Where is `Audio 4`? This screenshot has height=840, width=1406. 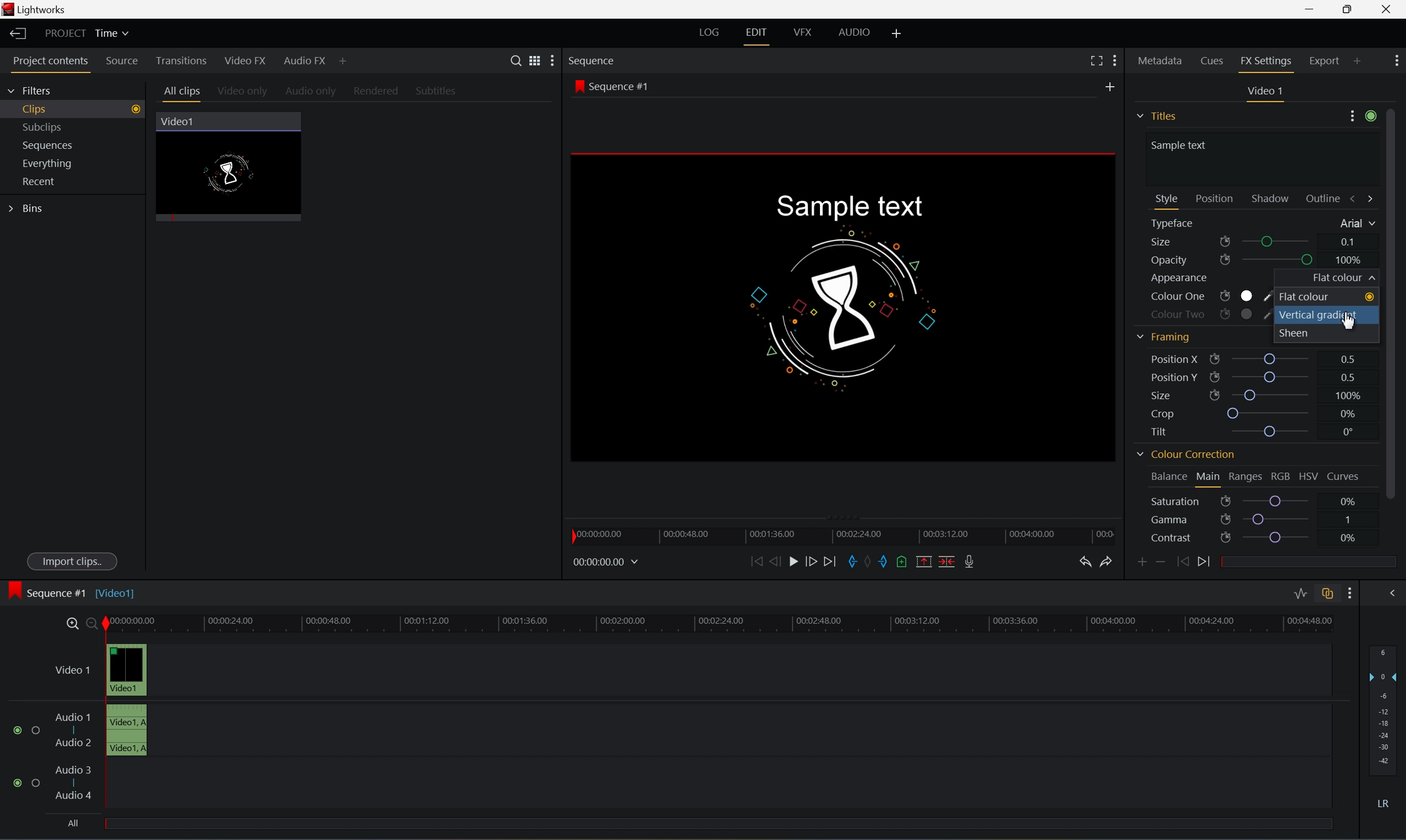 Audio 4 is located at coordinates (75, 796).